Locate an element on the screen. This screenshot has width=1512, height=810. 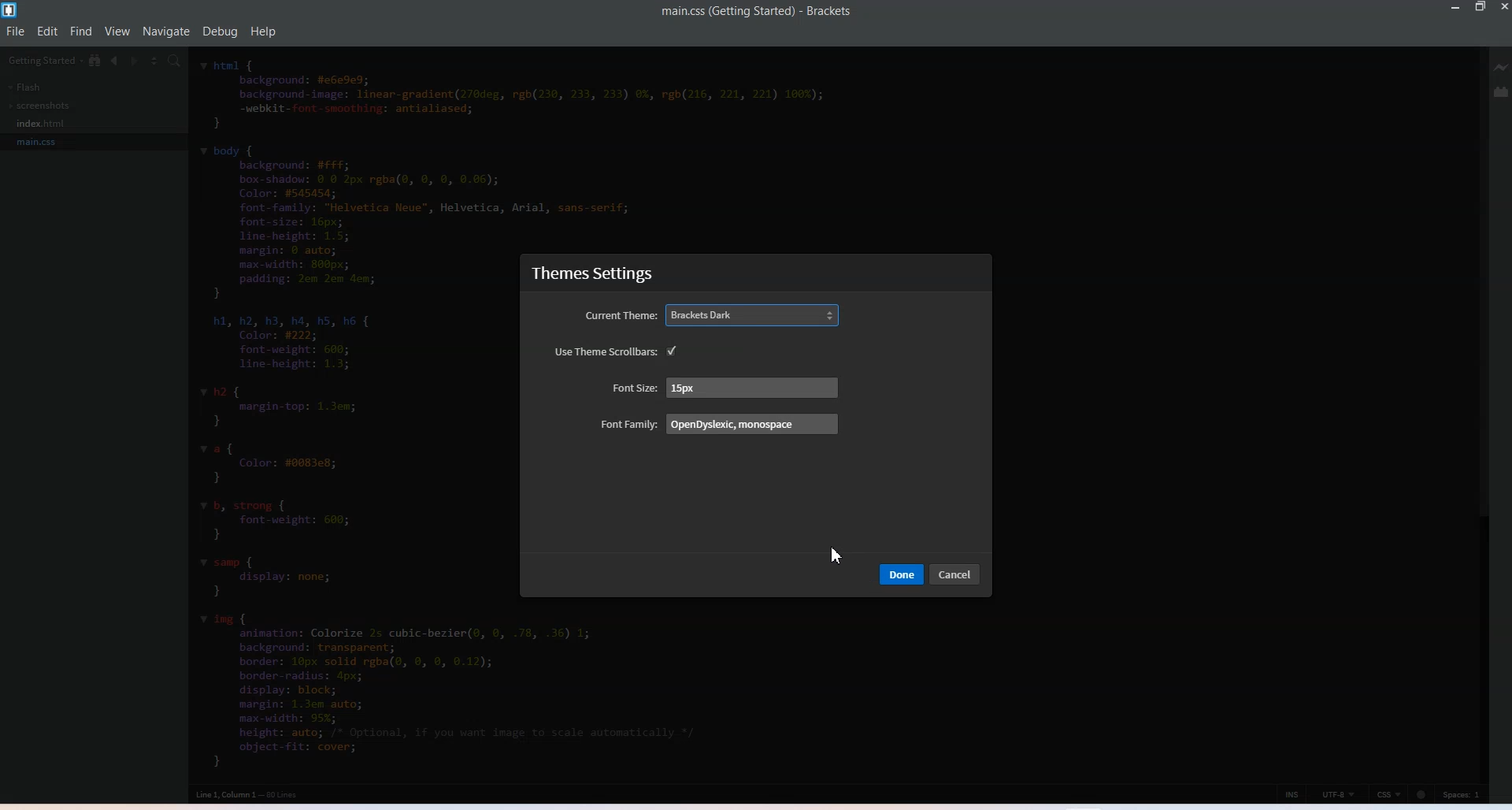
Maximize is located at coordinates (1481, 8).